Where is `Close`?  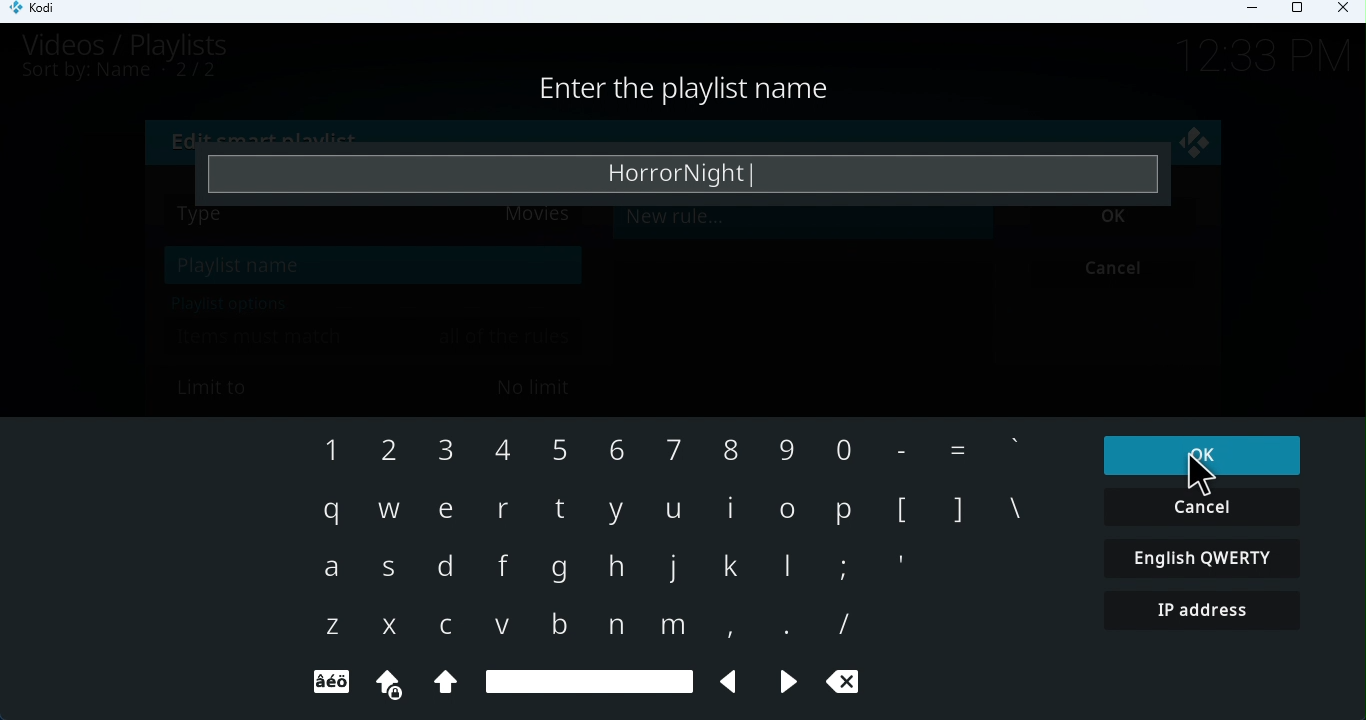
Close is located at coordinates (1346, 12).